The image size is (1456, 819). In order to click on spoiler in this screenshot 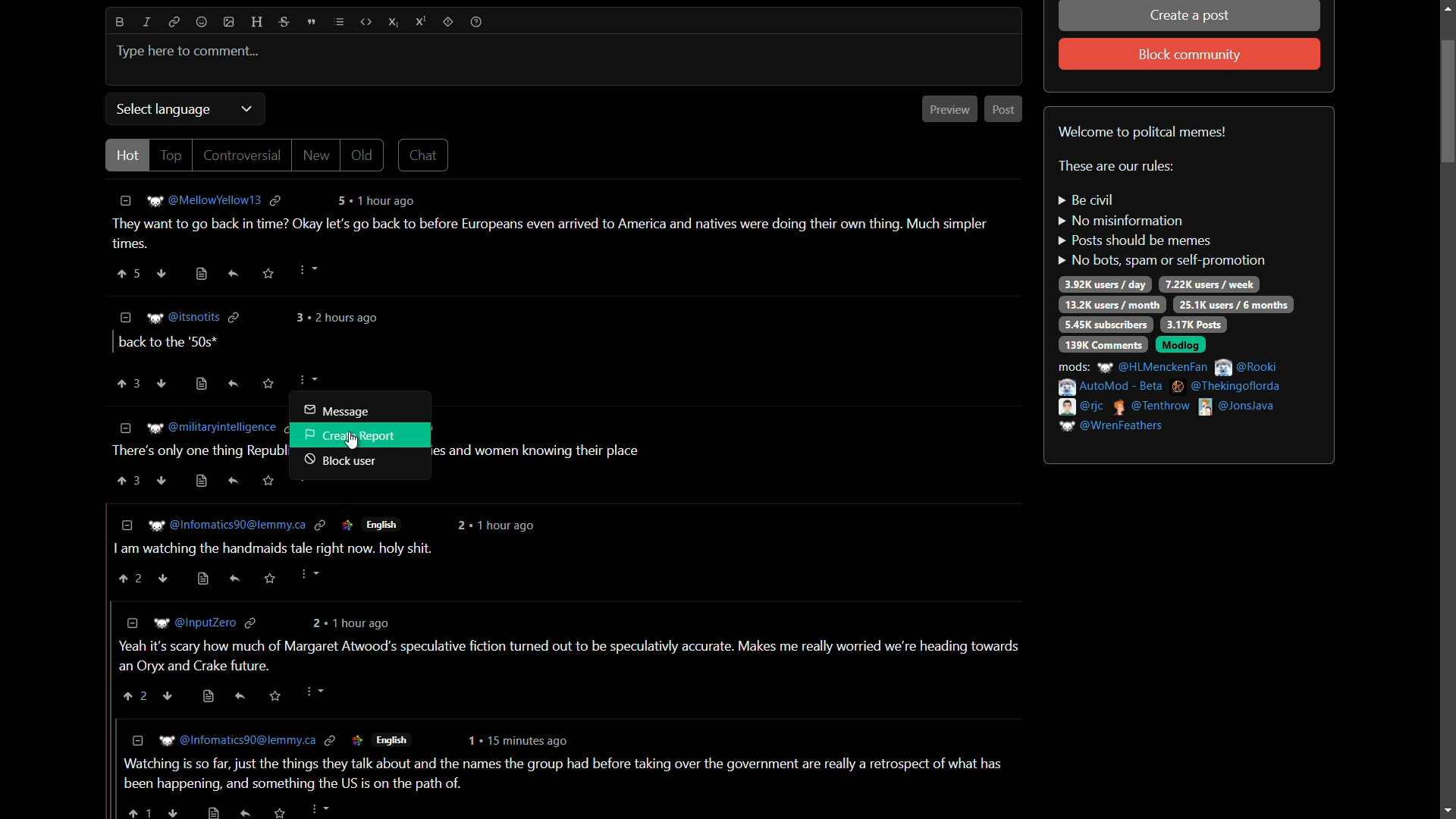, I will do `click(448, 22)`.